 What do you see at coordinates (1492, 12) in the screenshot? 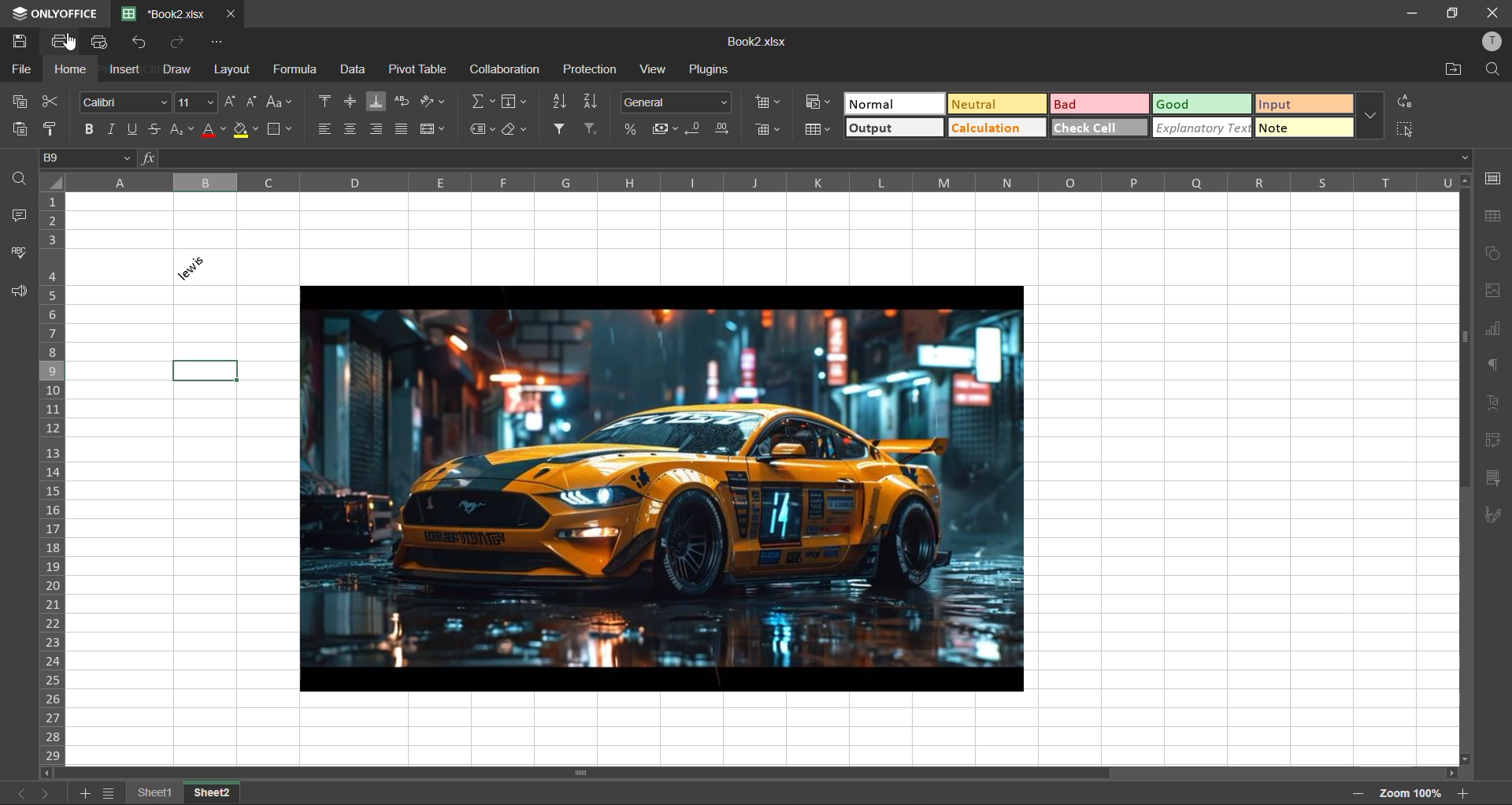
I see `close` at bounding box center [1492, 12].